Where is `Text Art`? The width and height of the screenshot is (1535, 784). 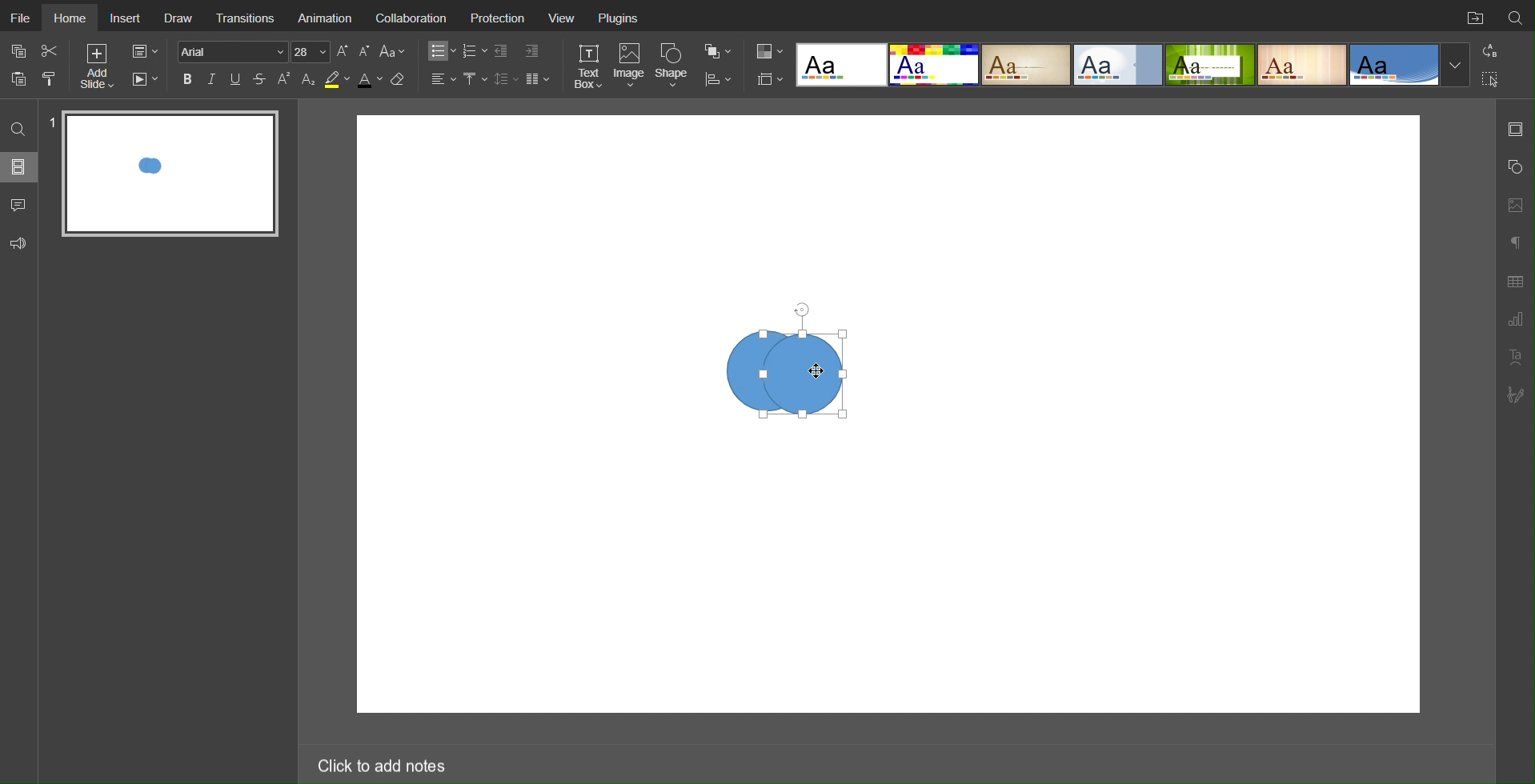 Text Art is located at coordinates (1515, 357).